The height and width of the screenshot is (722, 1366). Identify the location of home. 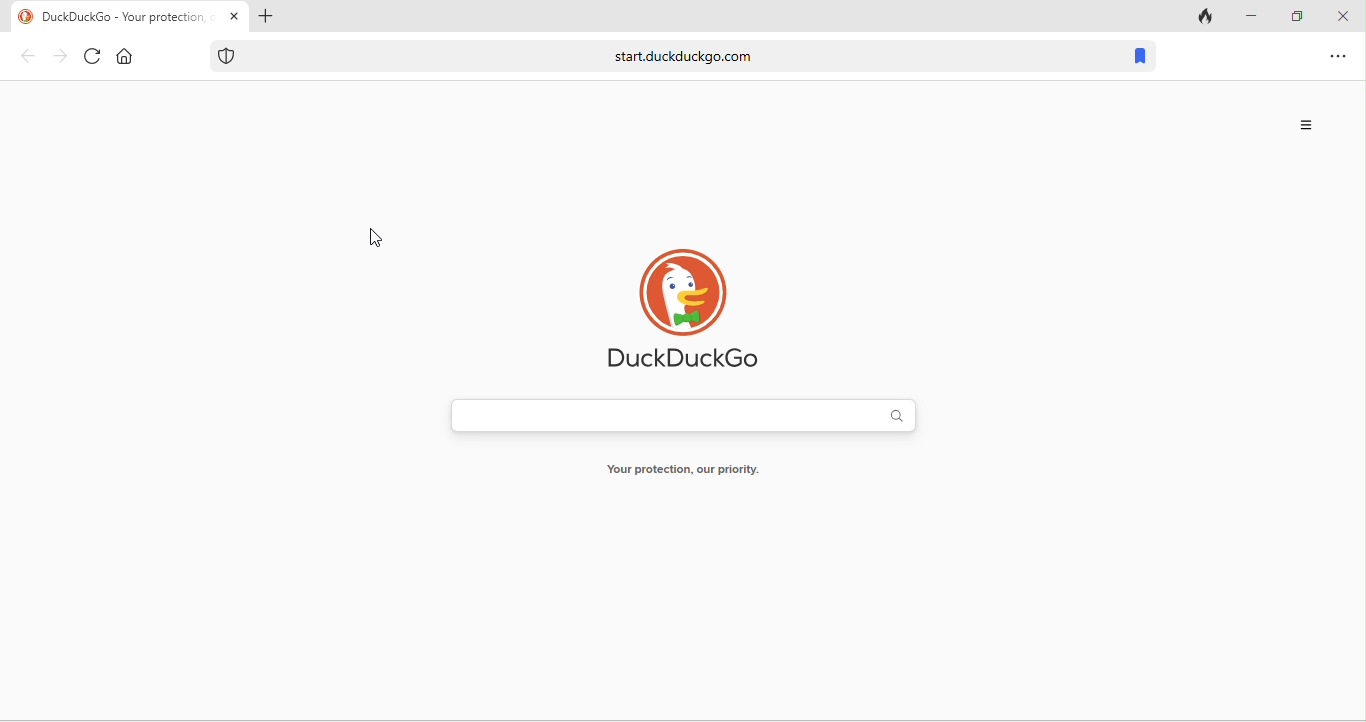
(130, 60).